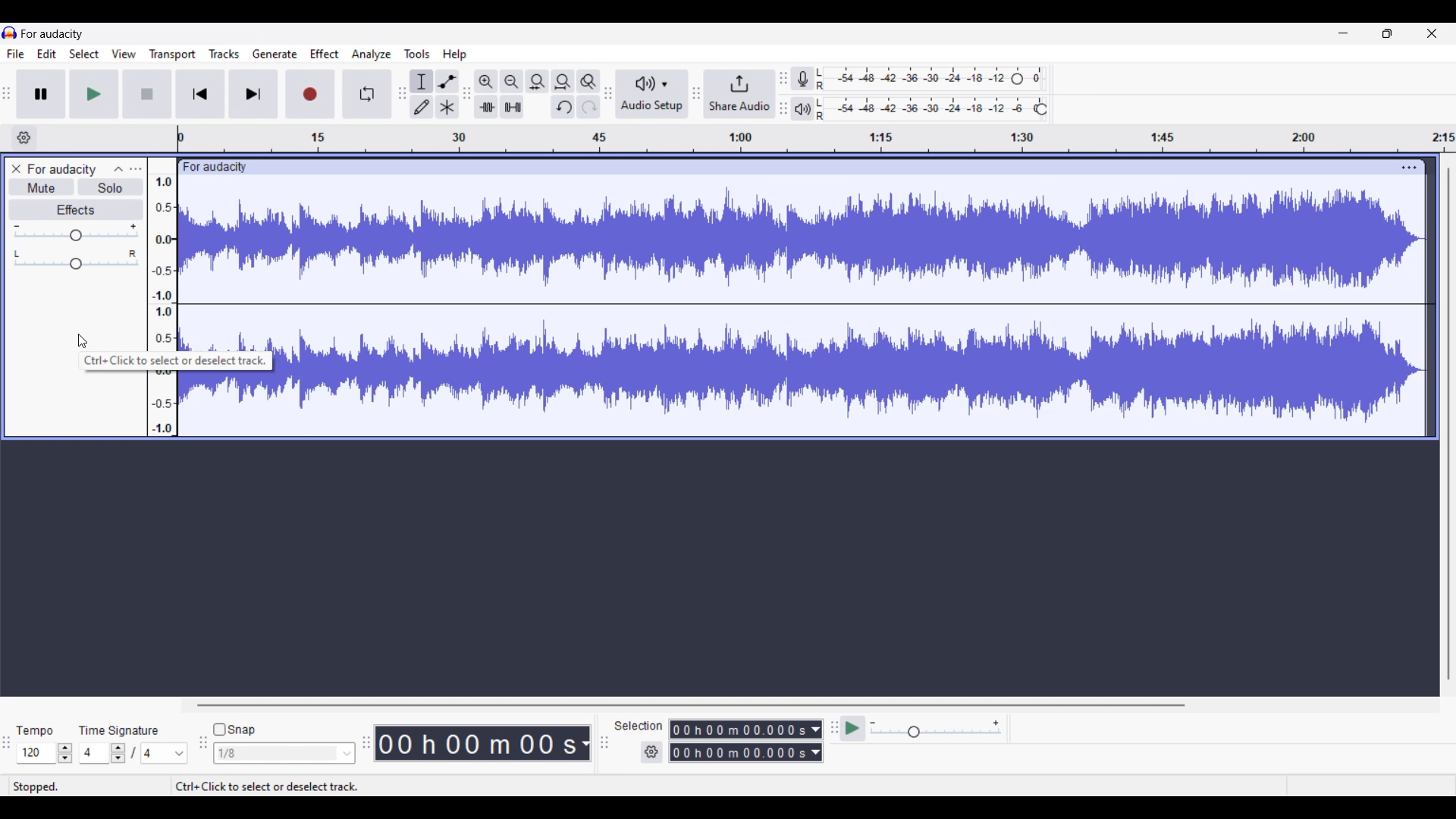 Image resolution: width=1456 pixels, height=819 pixels. Describe the element at coordinates (1344, 33) in the screenshot. I see `Minimize` at that location.